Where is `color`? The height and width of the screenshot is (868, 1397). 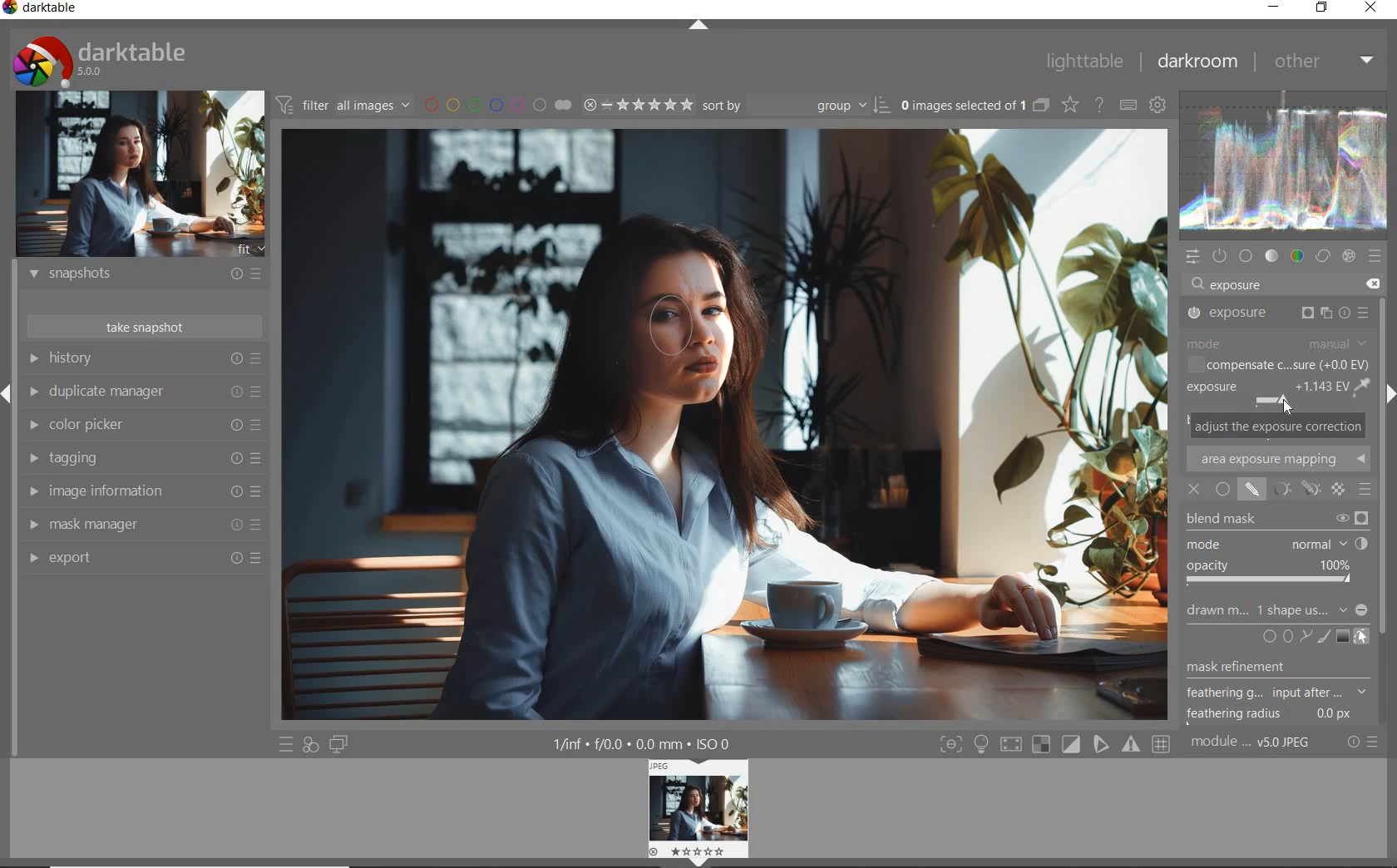 color is located at coordinates (1298, 256).